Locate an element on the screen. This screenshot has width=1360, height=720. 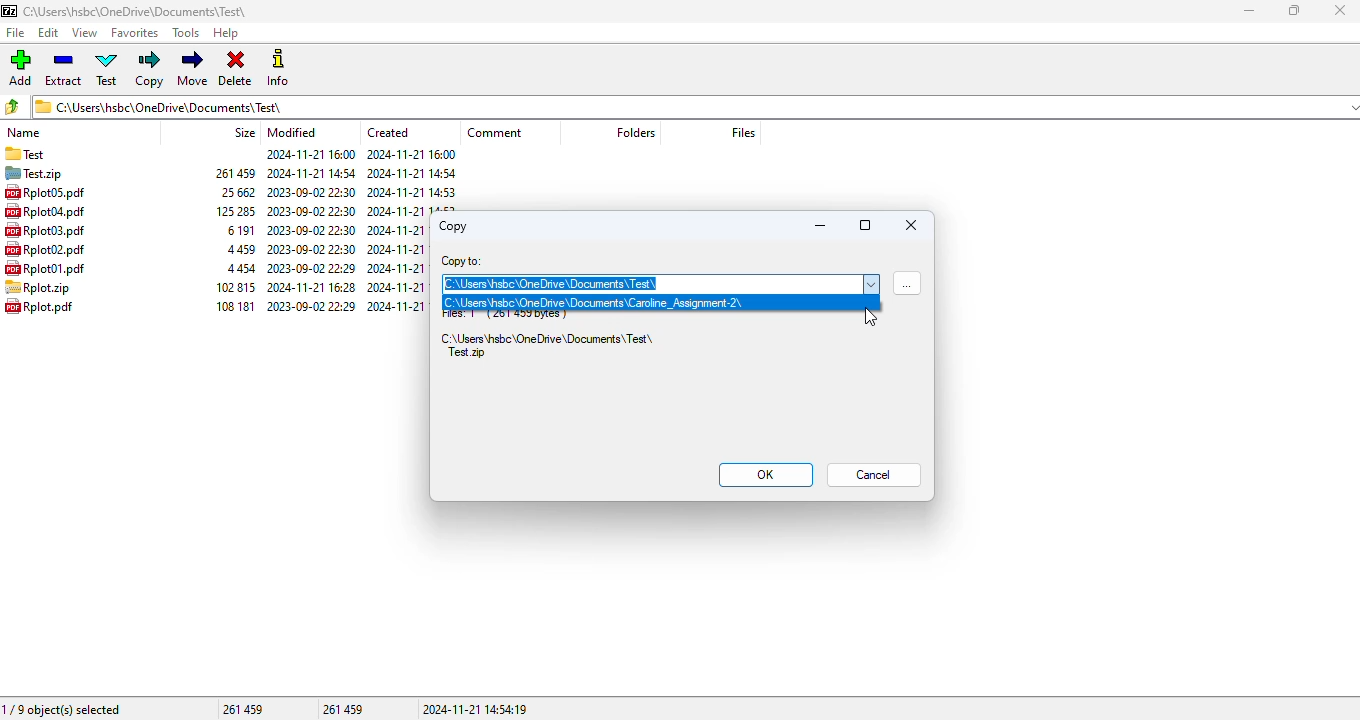
created date & time is located at coordinates (412, 173).